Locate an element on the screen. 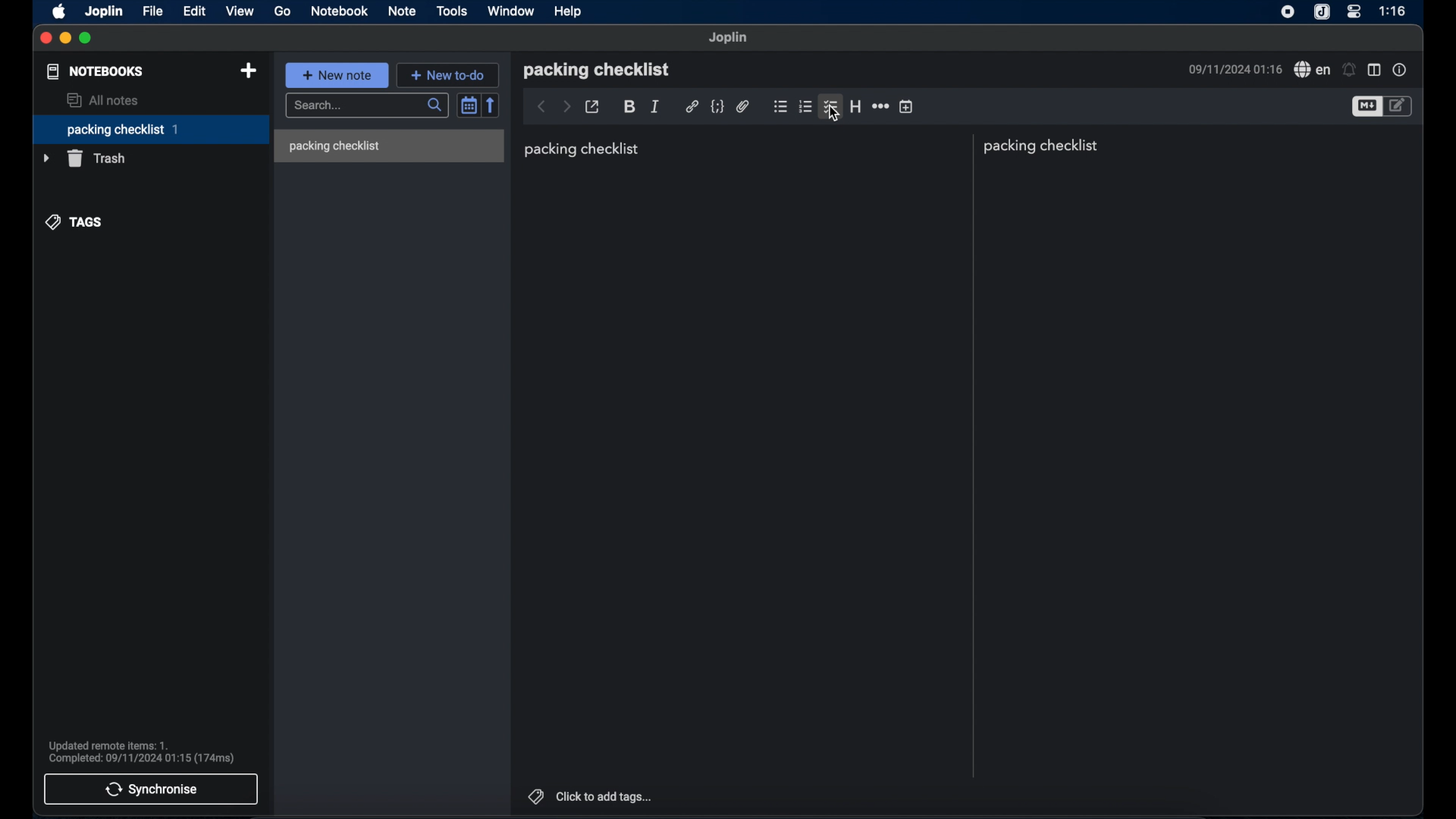  trash is located at coordinates (86, 158).